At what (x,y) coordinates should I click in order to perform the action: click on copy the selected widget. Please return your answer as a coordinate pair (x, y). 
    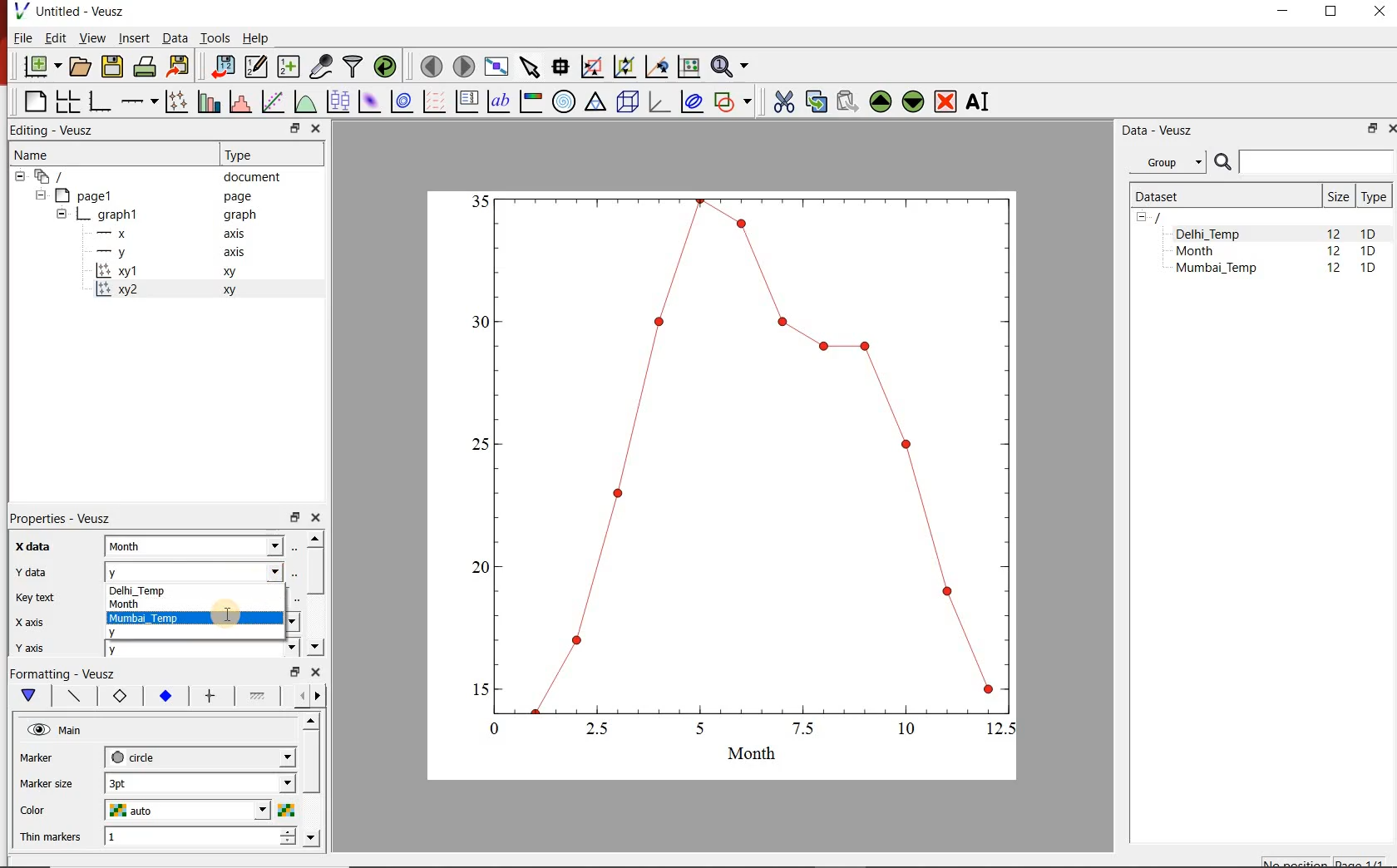
    Looking at the image, I should click on (814, 101).